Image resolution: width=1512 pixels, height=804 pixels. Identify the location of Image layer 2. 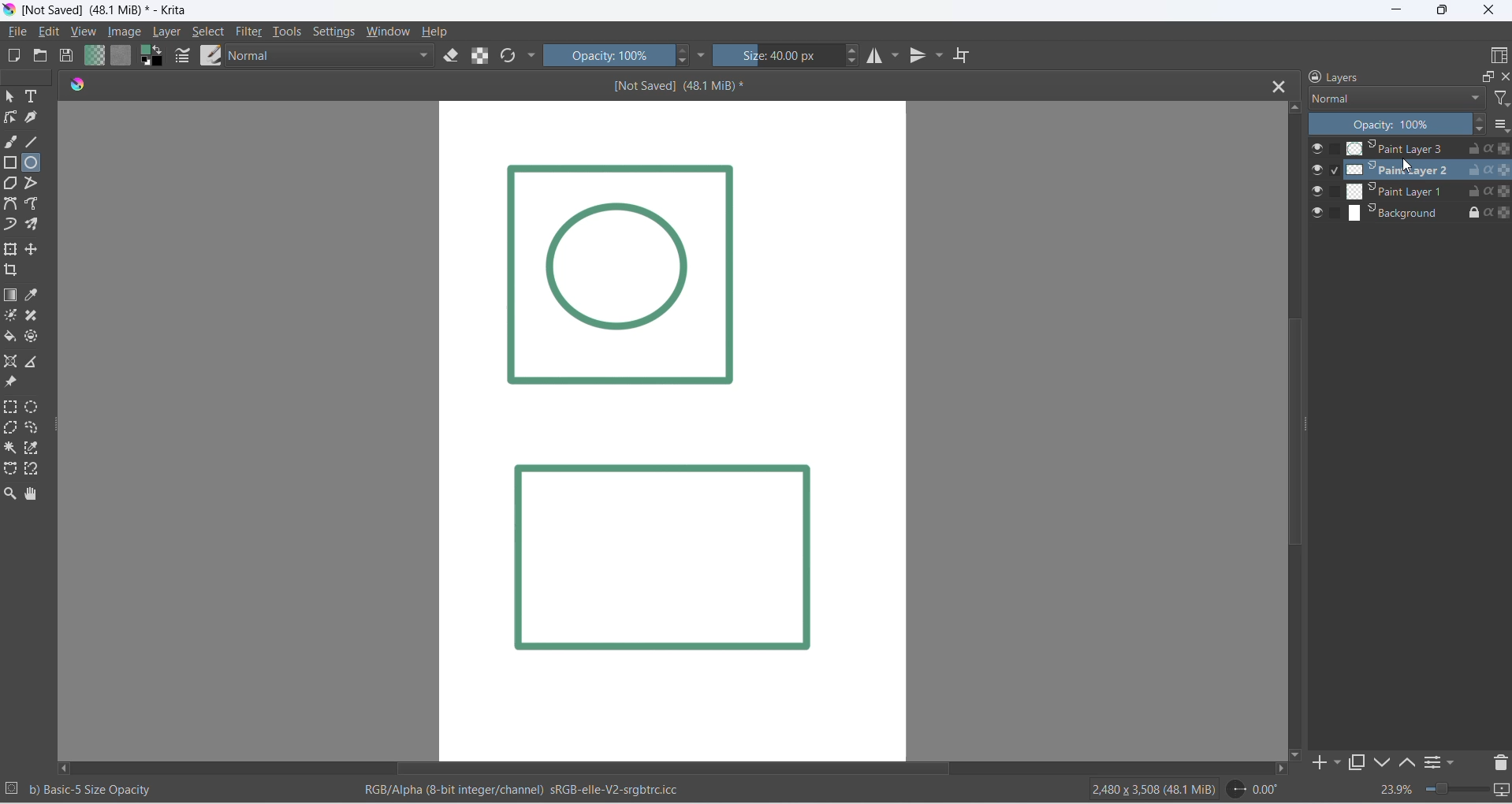
(667, 557).